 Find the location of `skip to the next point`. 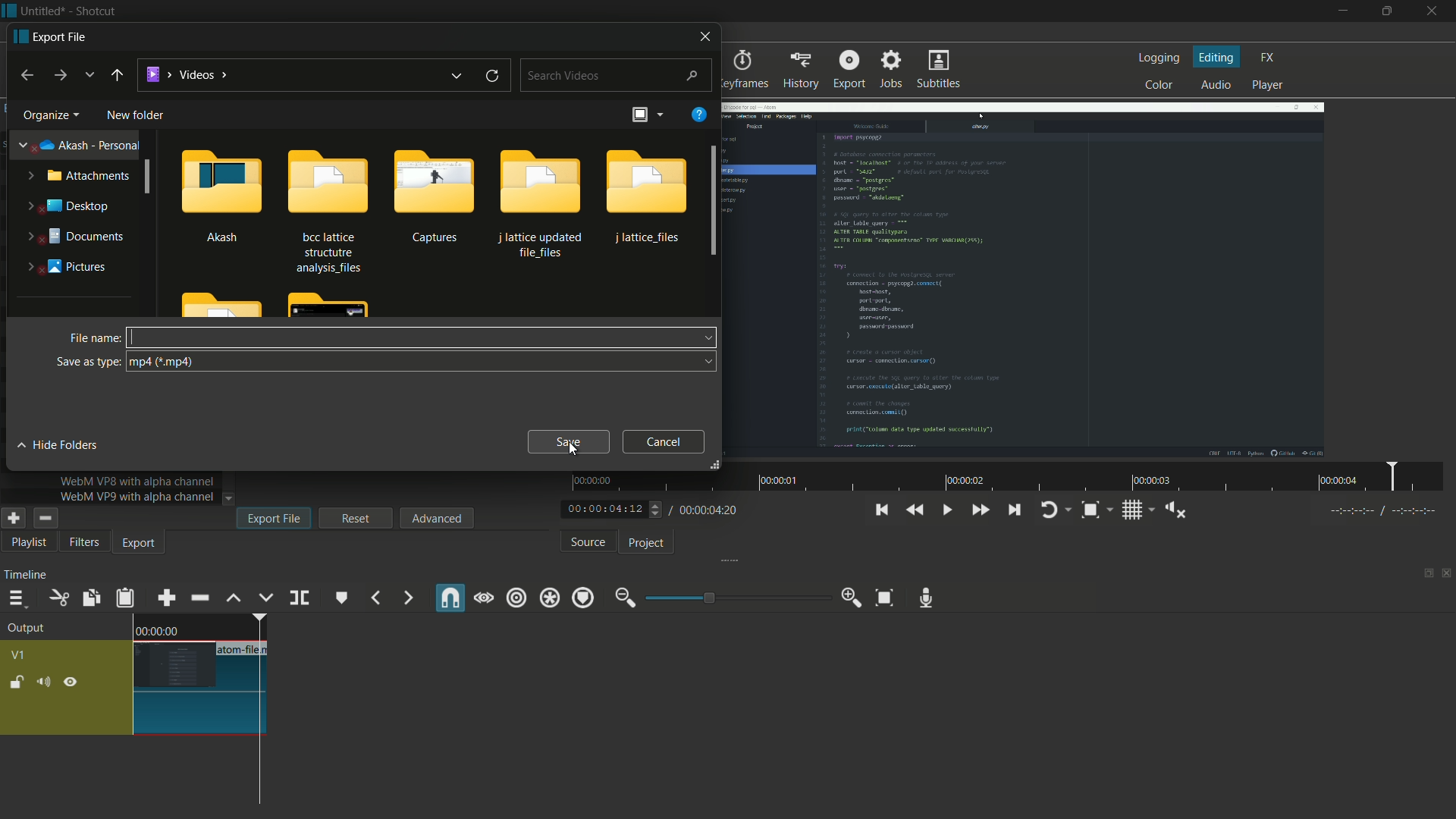

skip to the next point is located at coordinates (1016, 510).